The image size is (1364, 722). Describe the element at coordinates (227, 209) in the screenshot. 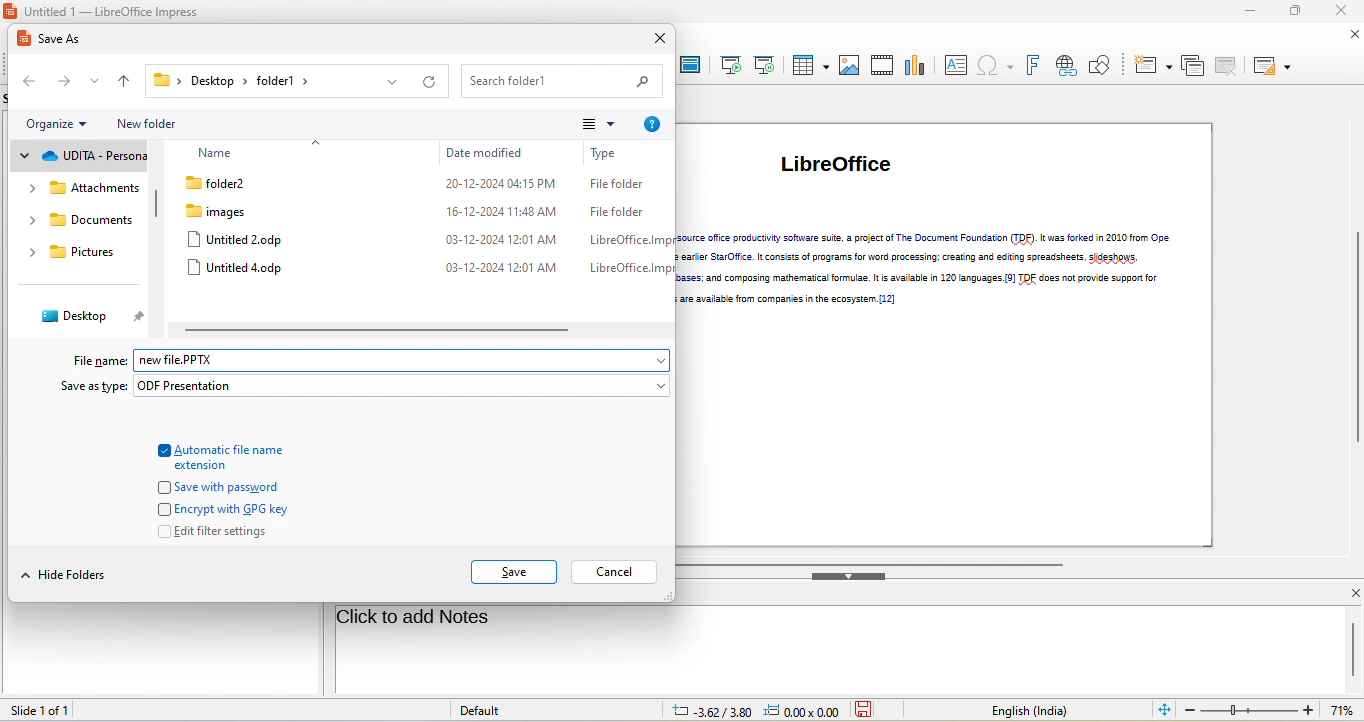

I see `images` at that location.